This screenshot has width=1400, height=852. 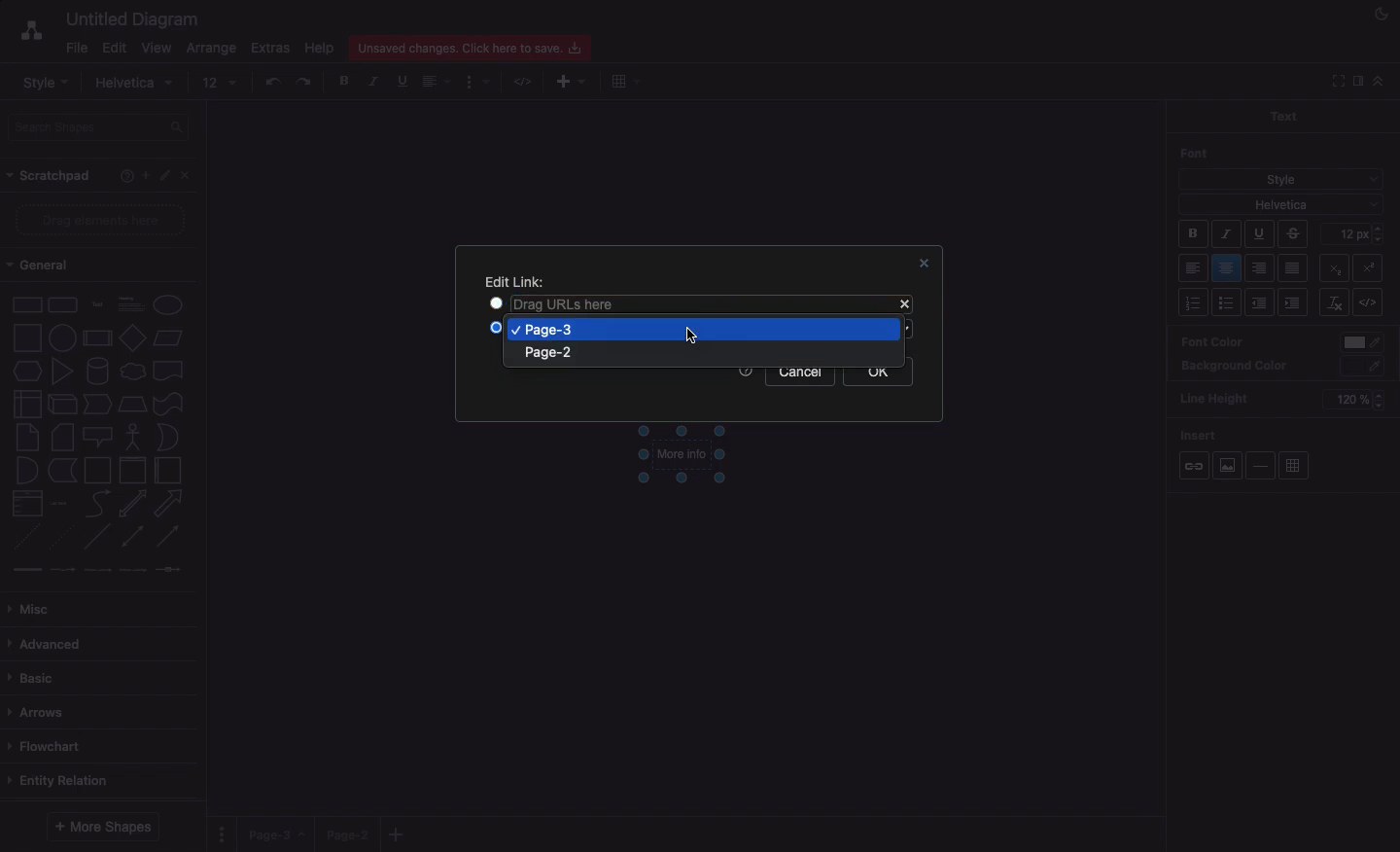 I want to click on Bold, so click(x=1194, y=236).